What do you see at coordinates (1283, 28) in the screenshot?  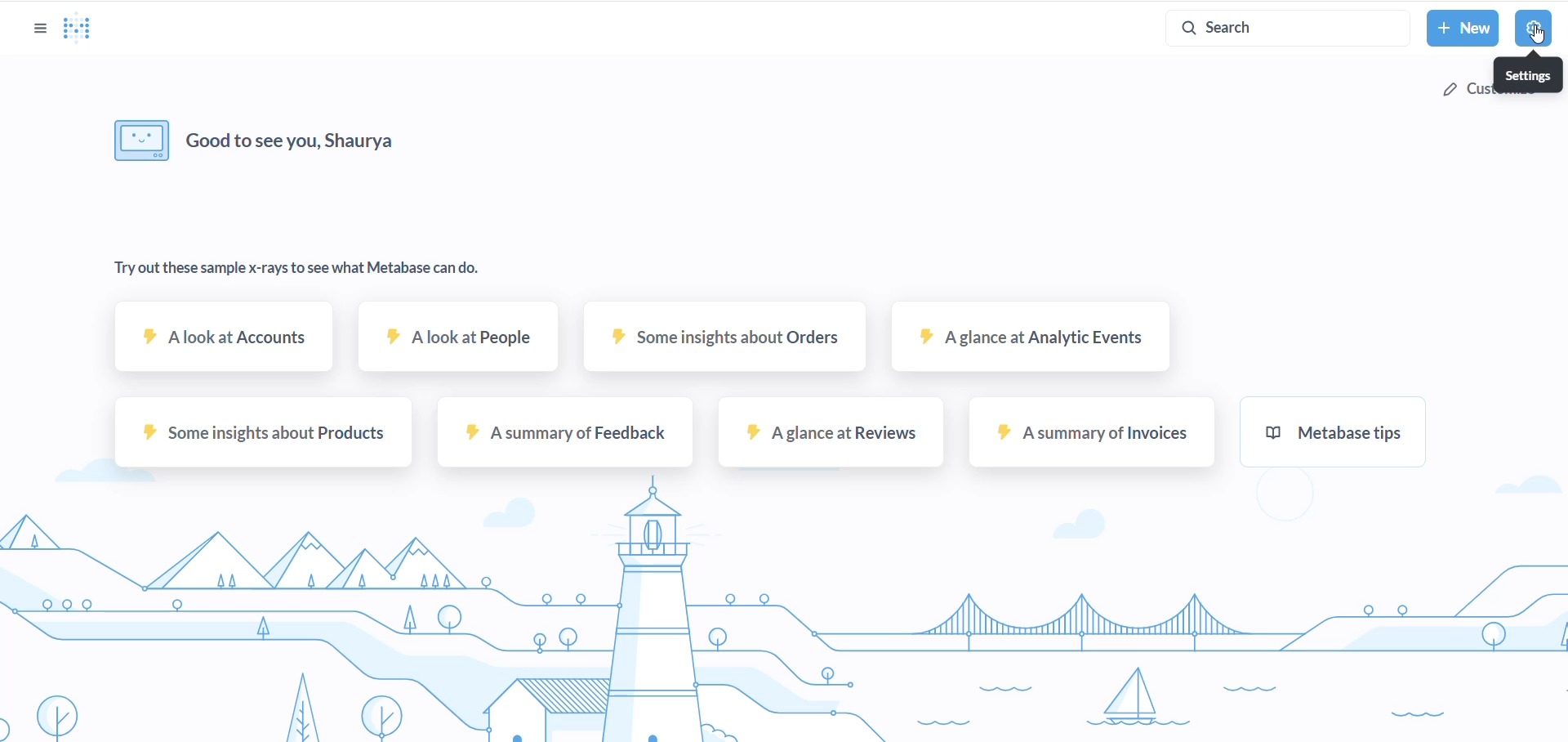 I see `search button` at bounding box center [1283, 28].